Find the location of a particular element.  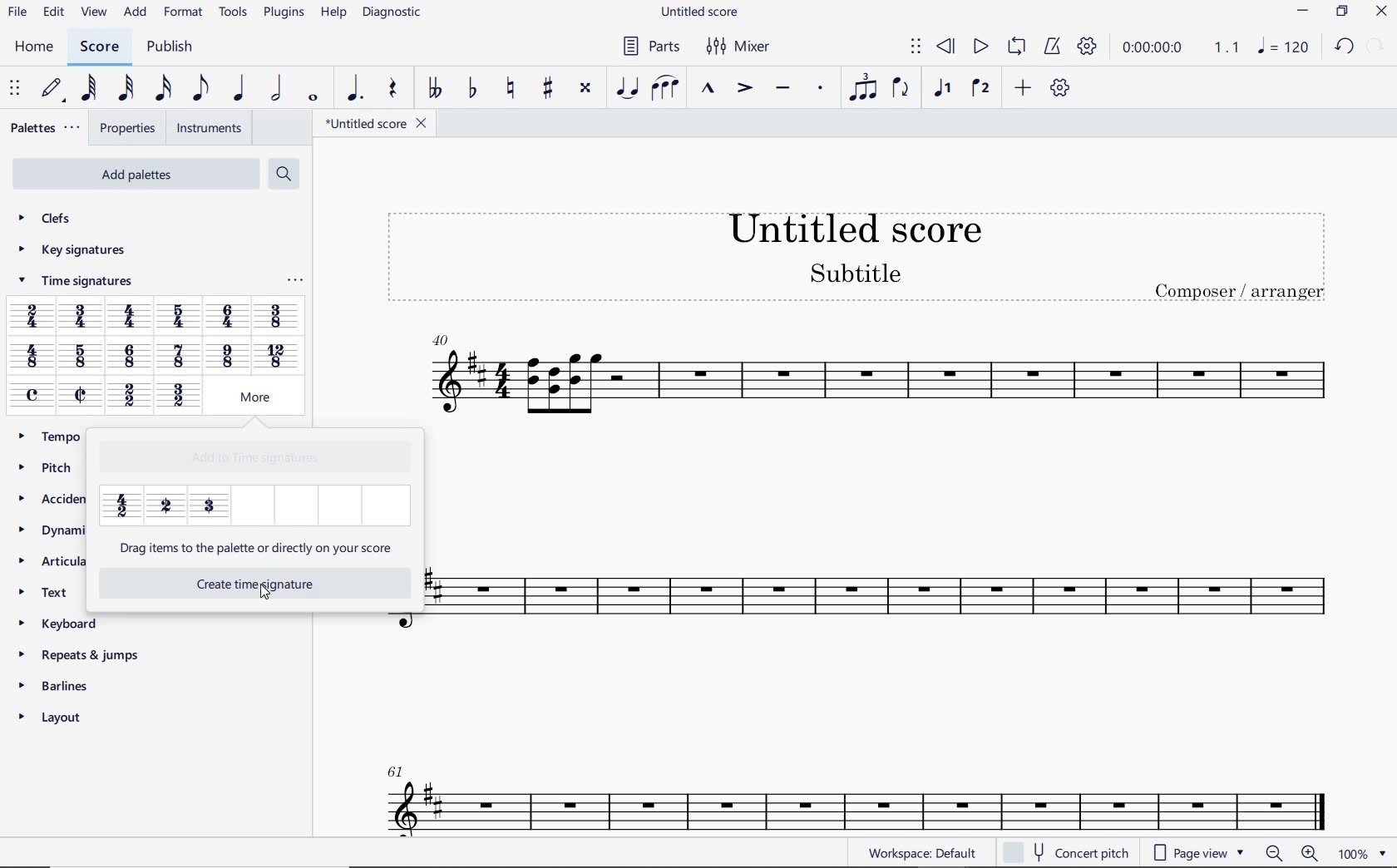

INSTRUMENTS is located at coordinates (210, 128).